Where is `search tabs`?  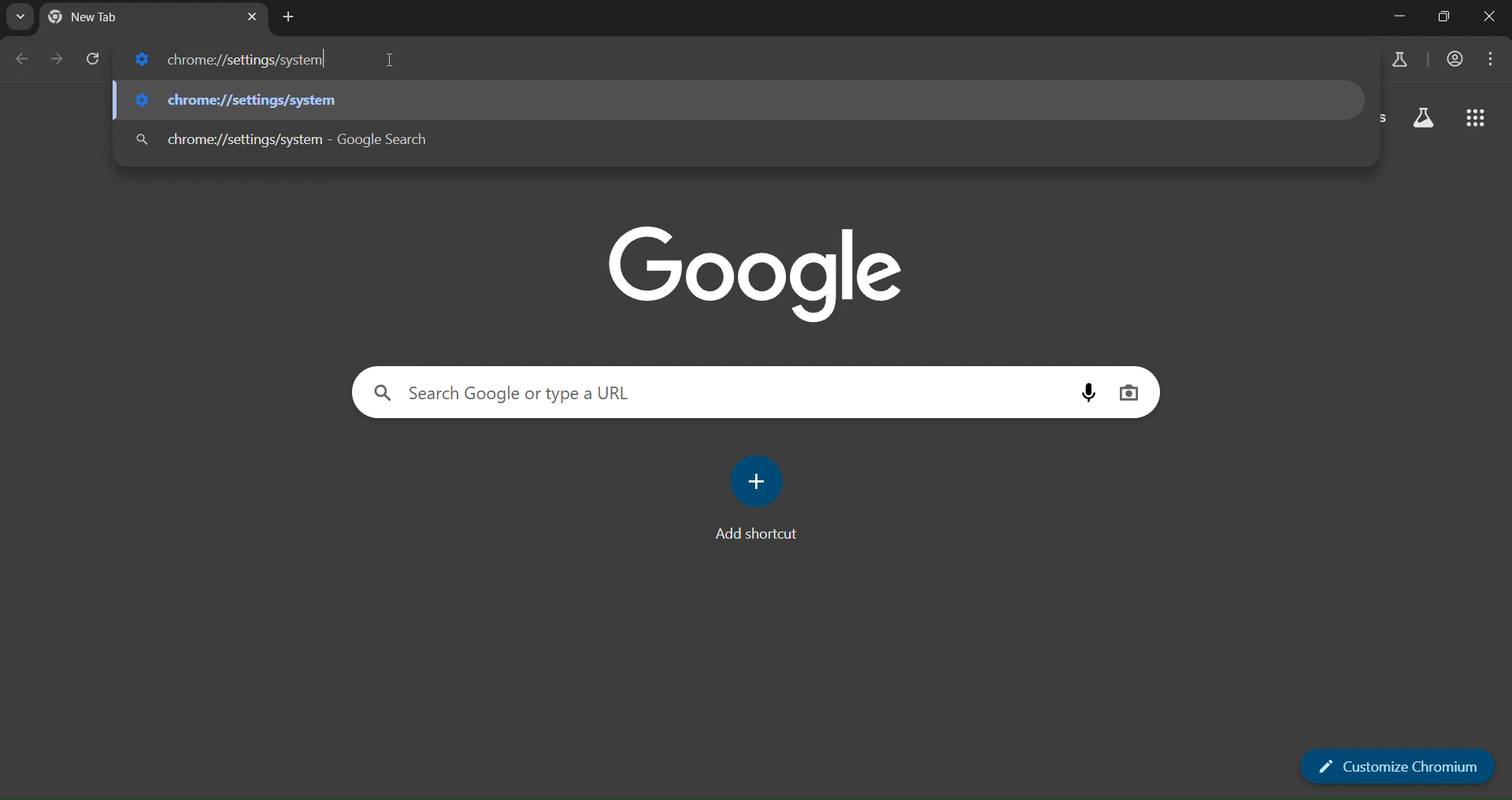
search tabs is located at coordinates (23, 18).